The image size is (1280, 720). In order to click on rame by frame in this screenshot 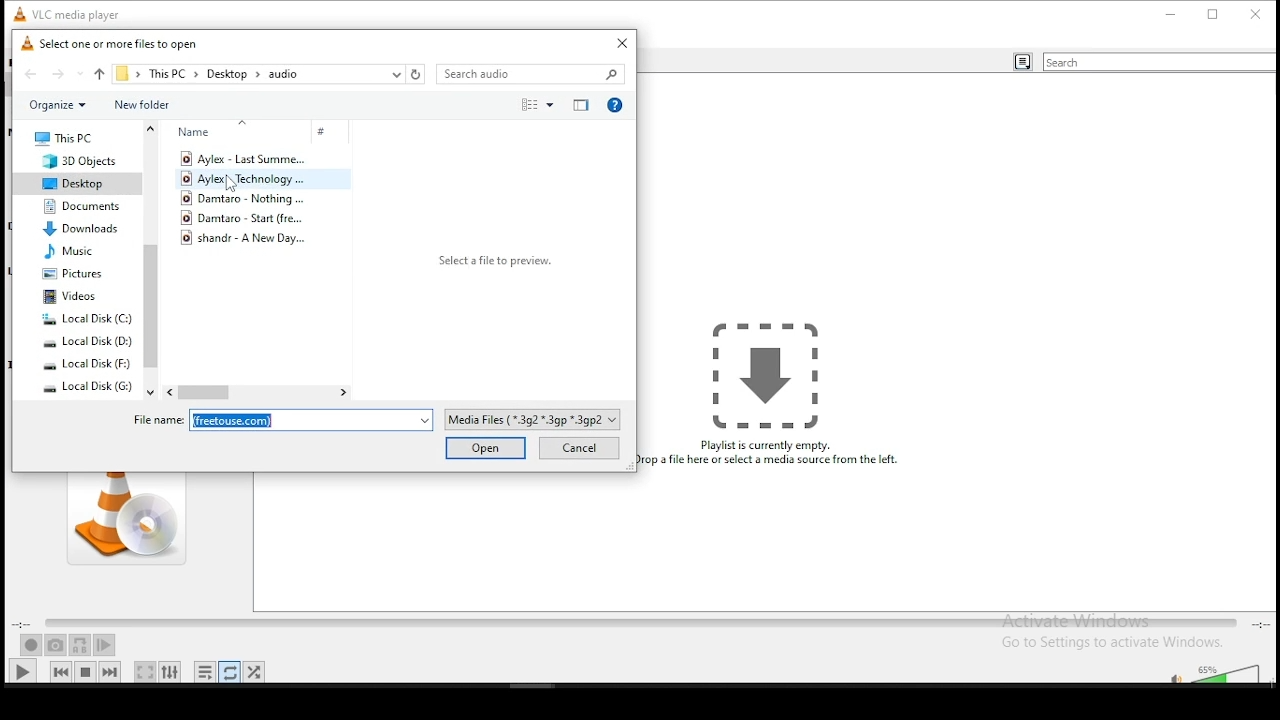, I will do `click(104, 645)`.